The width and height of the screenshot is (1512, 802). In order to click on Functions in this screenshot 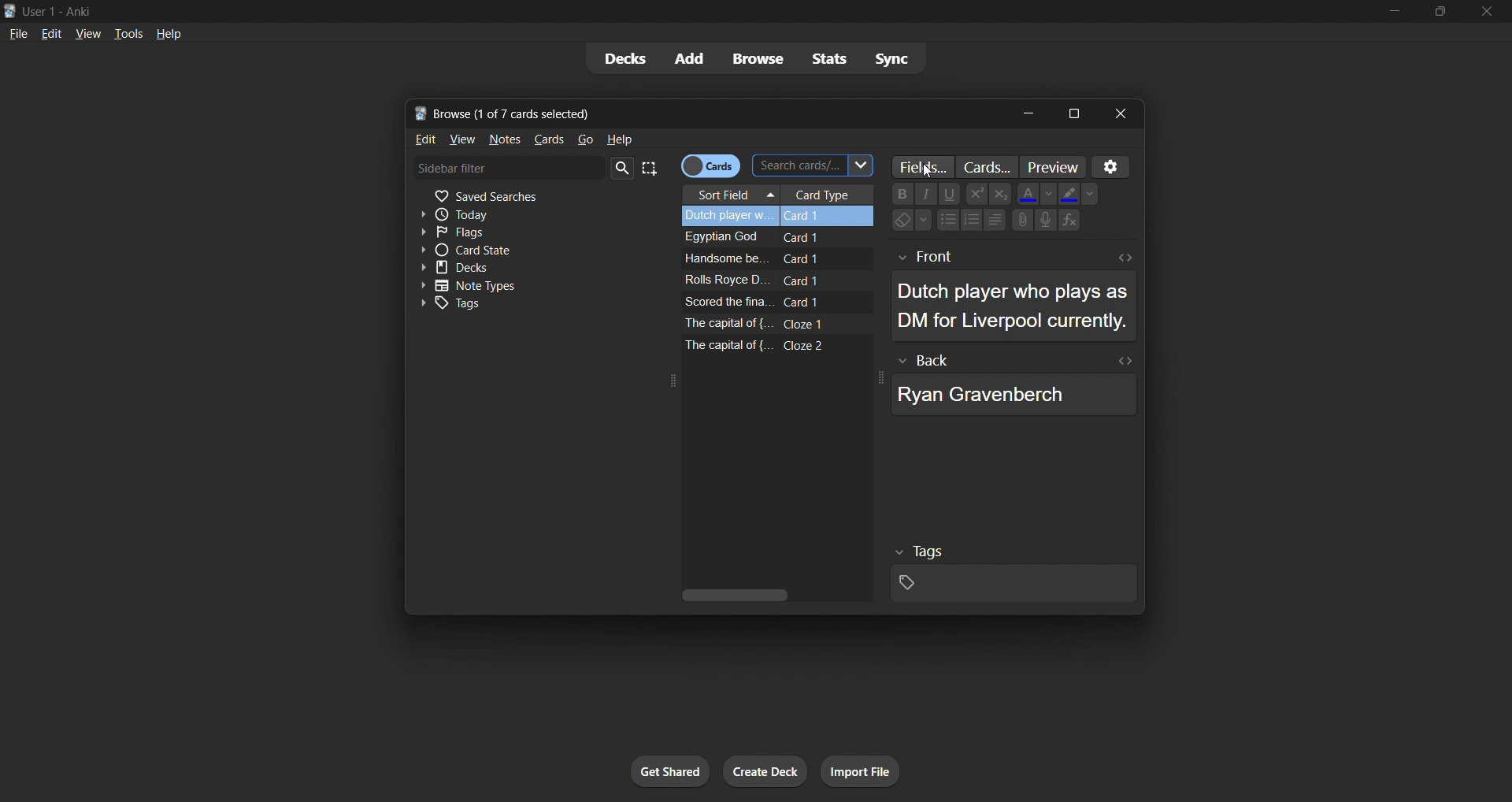, I will do `click(1070, 221)`.